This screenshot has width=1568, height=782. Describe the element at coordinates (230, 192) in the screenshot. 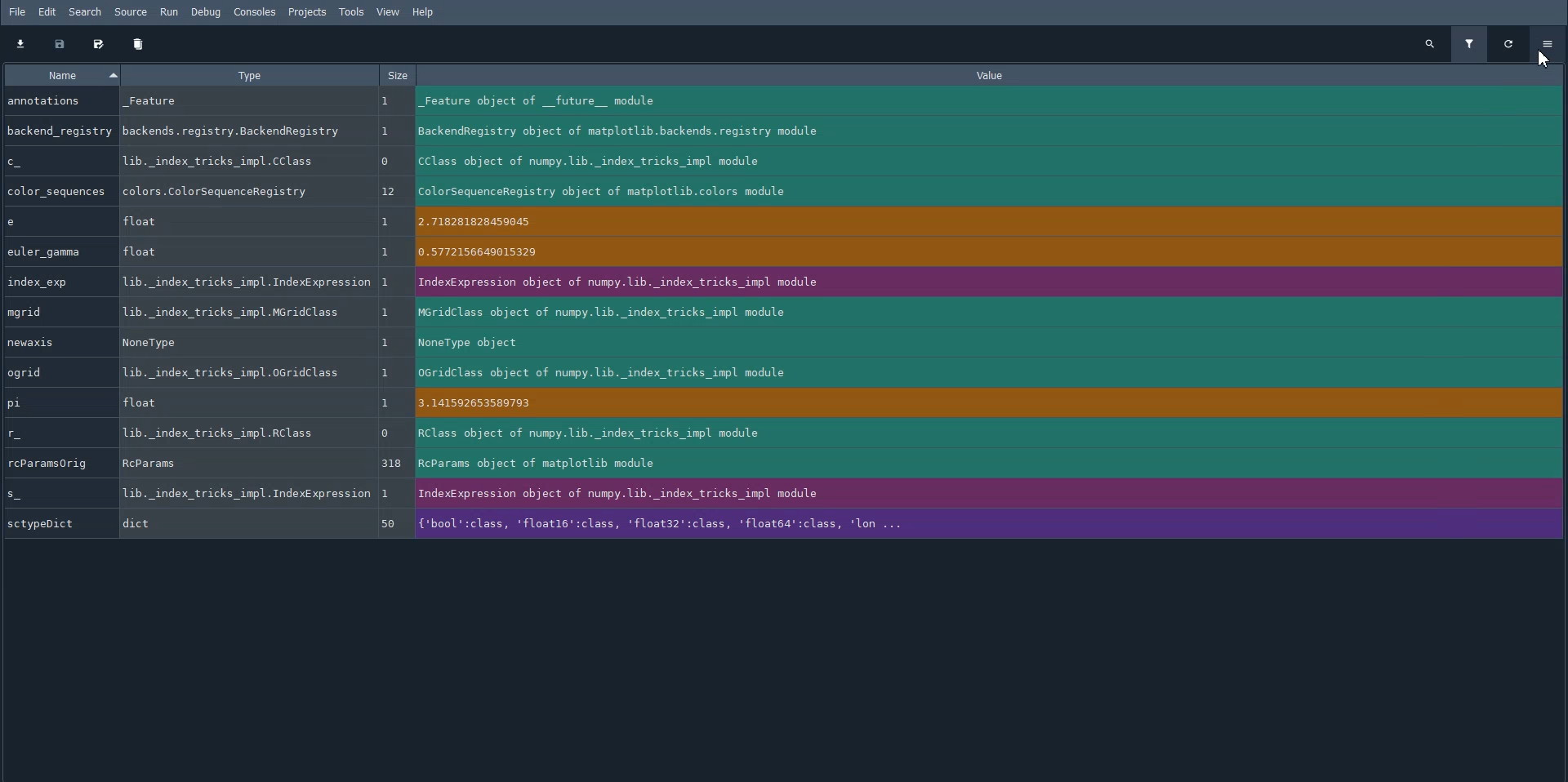

I see `type value` at that location.